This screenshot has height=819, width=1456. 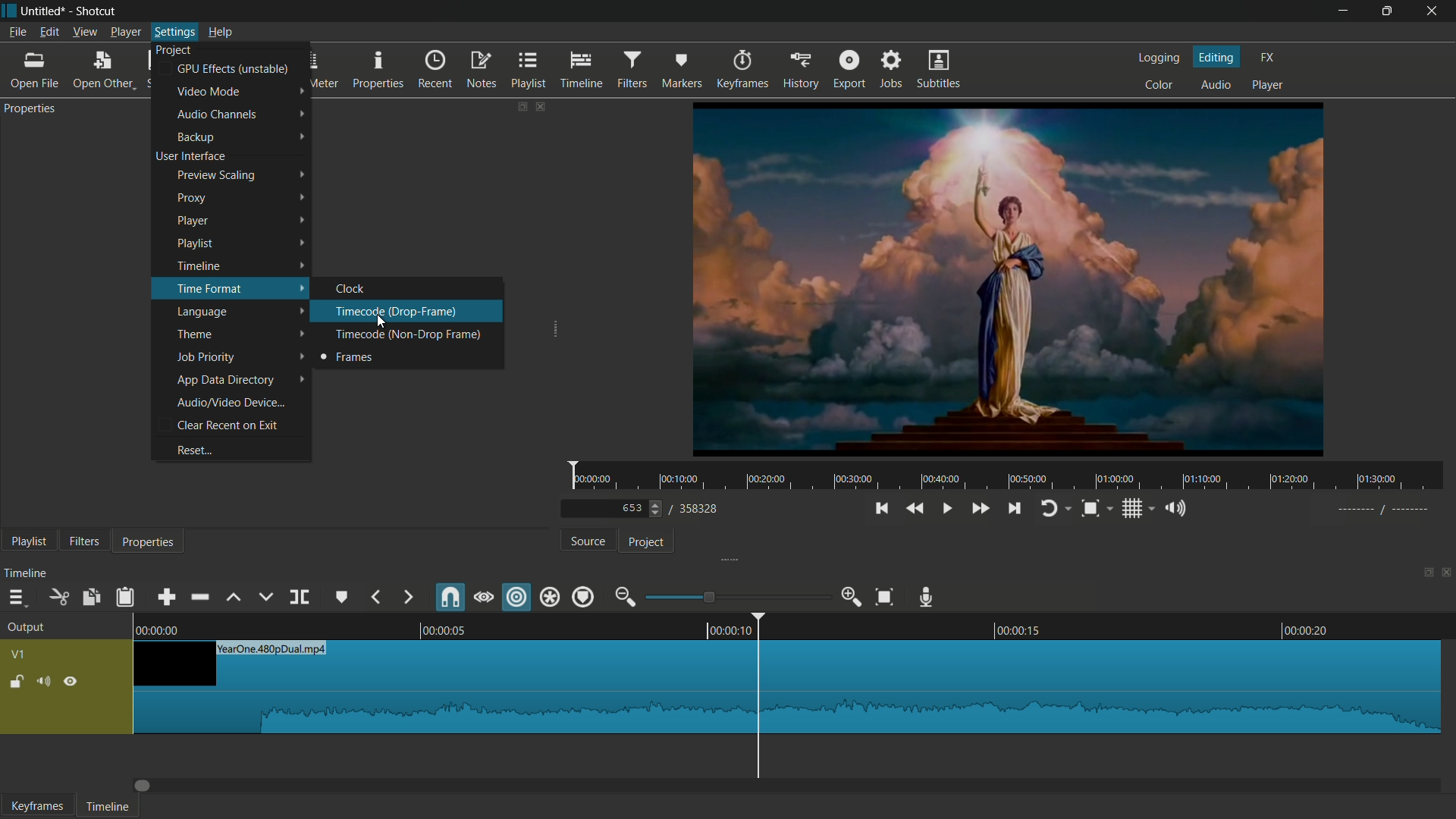 What do you see at coordinates (265, 596) in the screenshot?
I see `overwrite` at bounding box center [265, 596].